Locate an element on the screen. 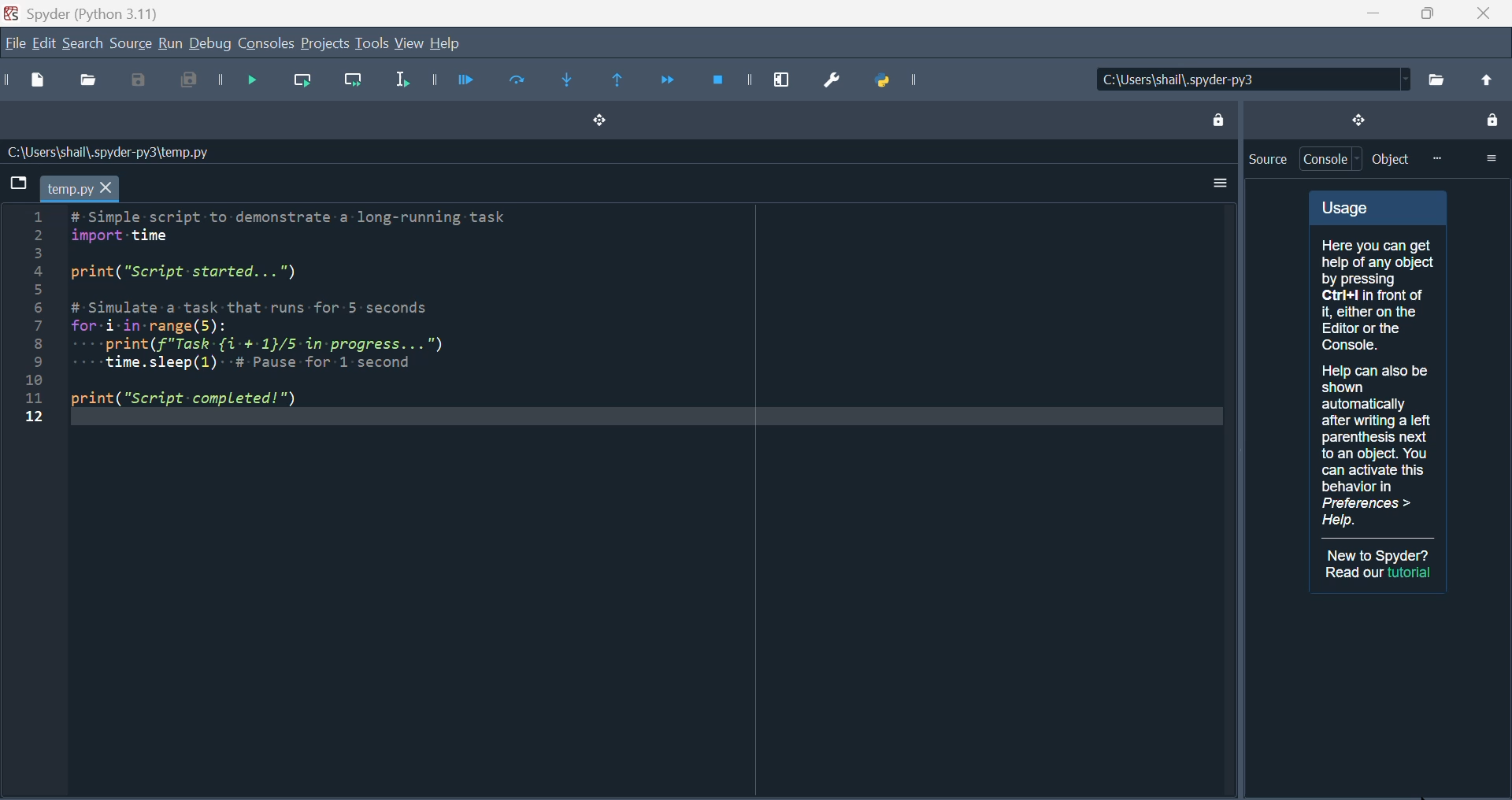  Read our is located at coordinates (1354, 572).